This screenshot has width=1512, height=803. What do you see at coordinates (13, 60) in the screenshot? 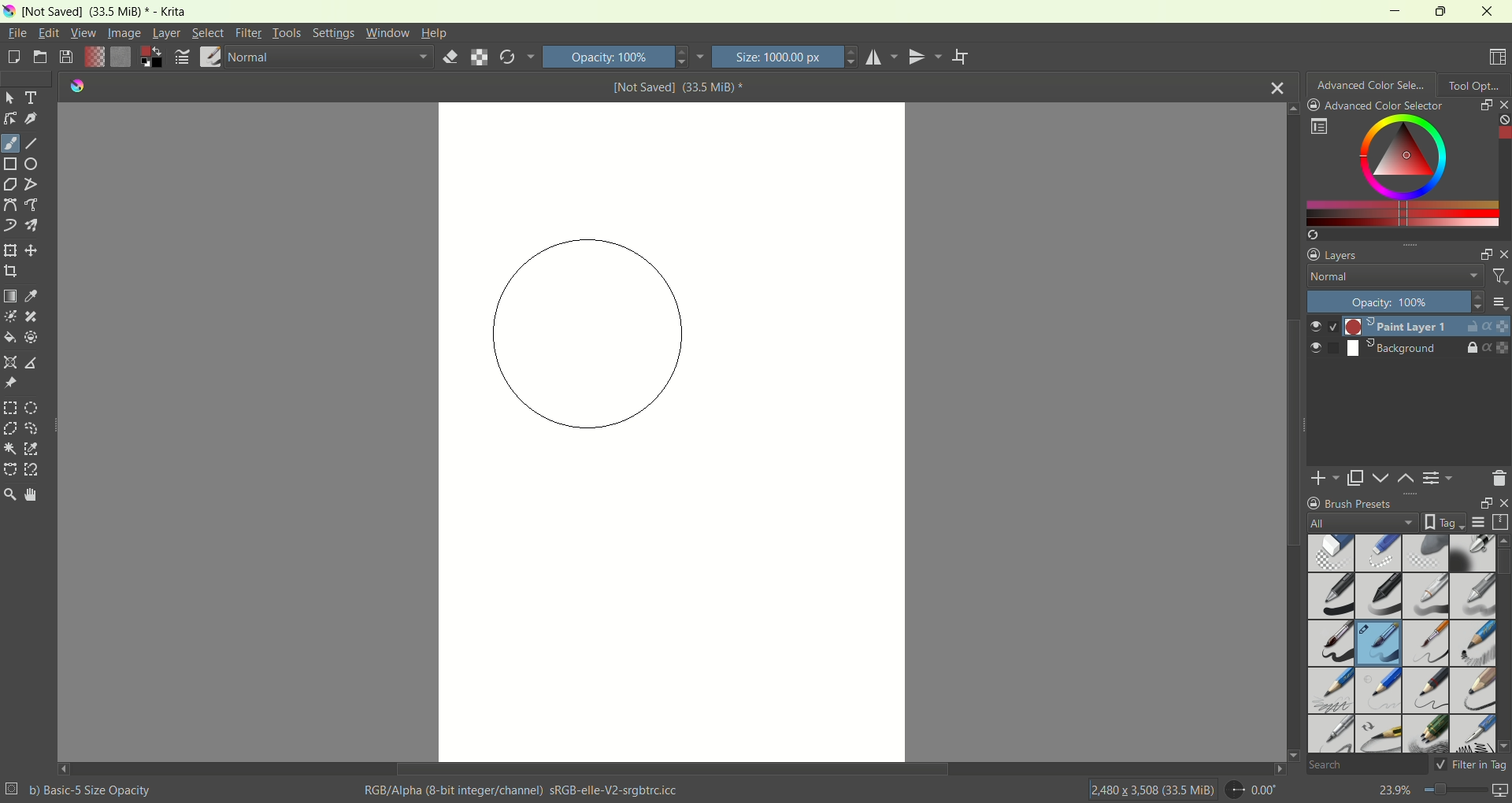
I see `create a new document` at bounding box center [13, 60].